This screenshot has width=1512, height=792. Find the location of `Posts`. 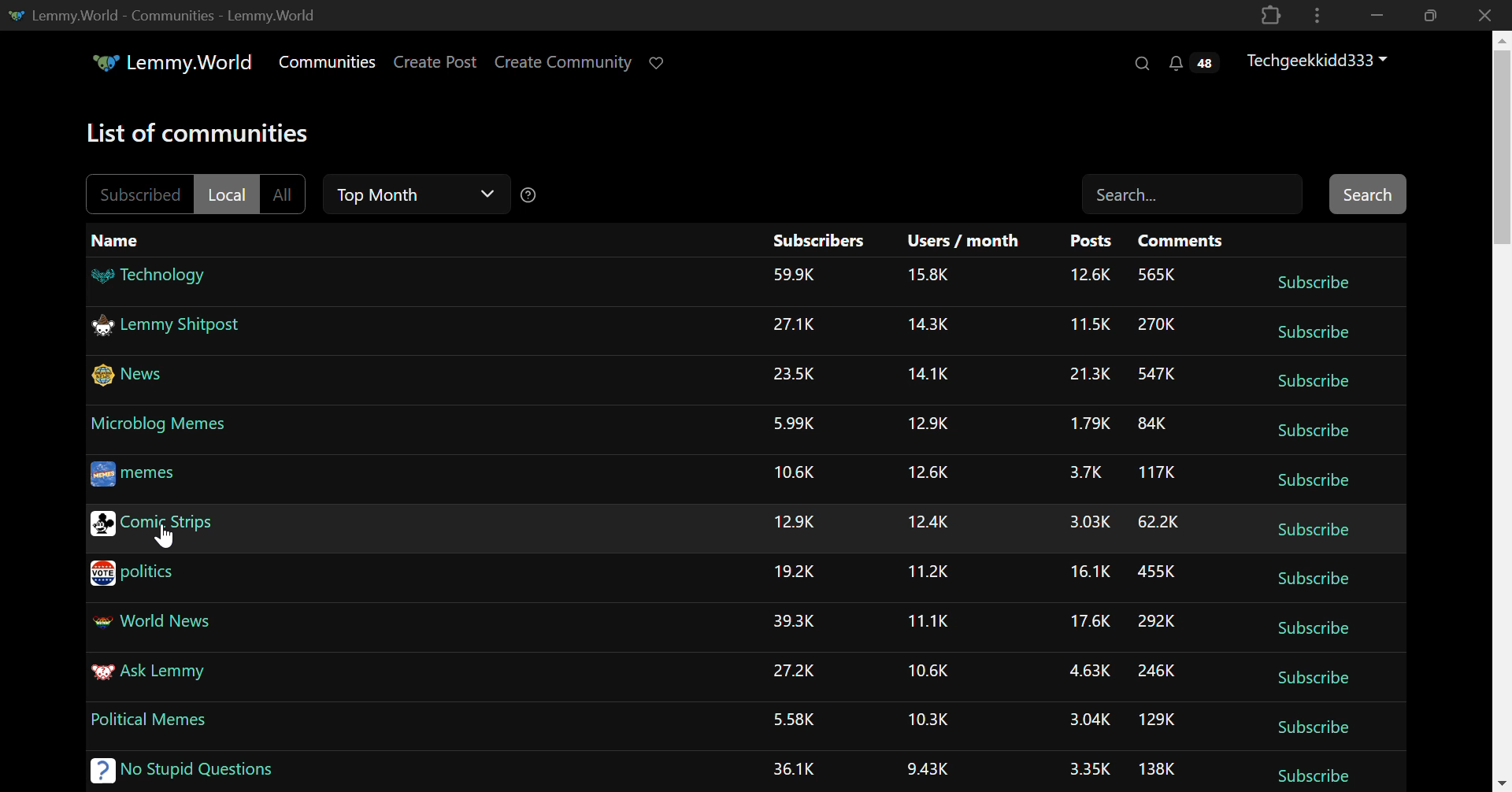

Posts is located at coordinates (1091, 240).